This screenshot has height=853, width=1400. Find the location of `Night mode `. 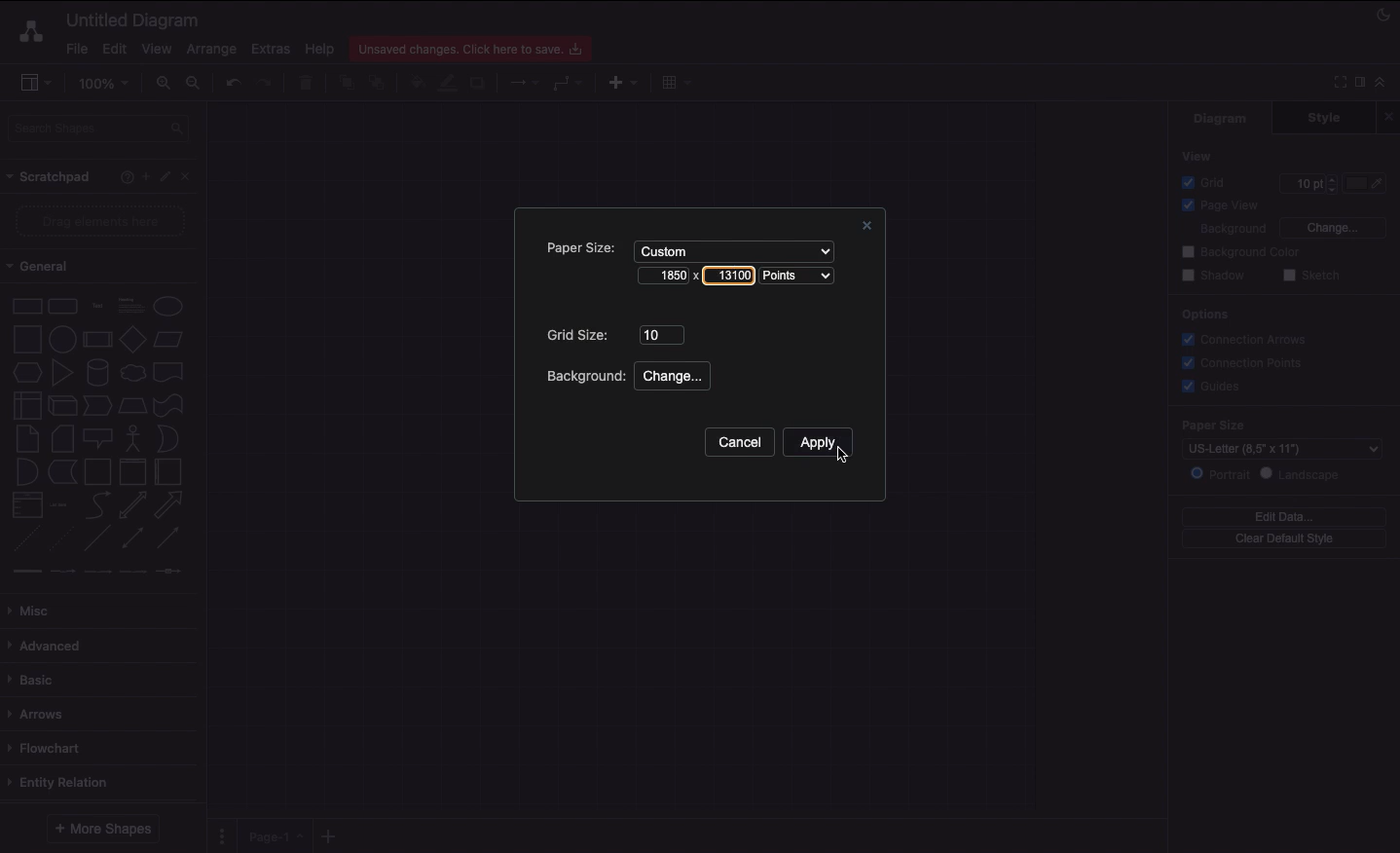

Night mode  is located at coordinates (1384, 13).